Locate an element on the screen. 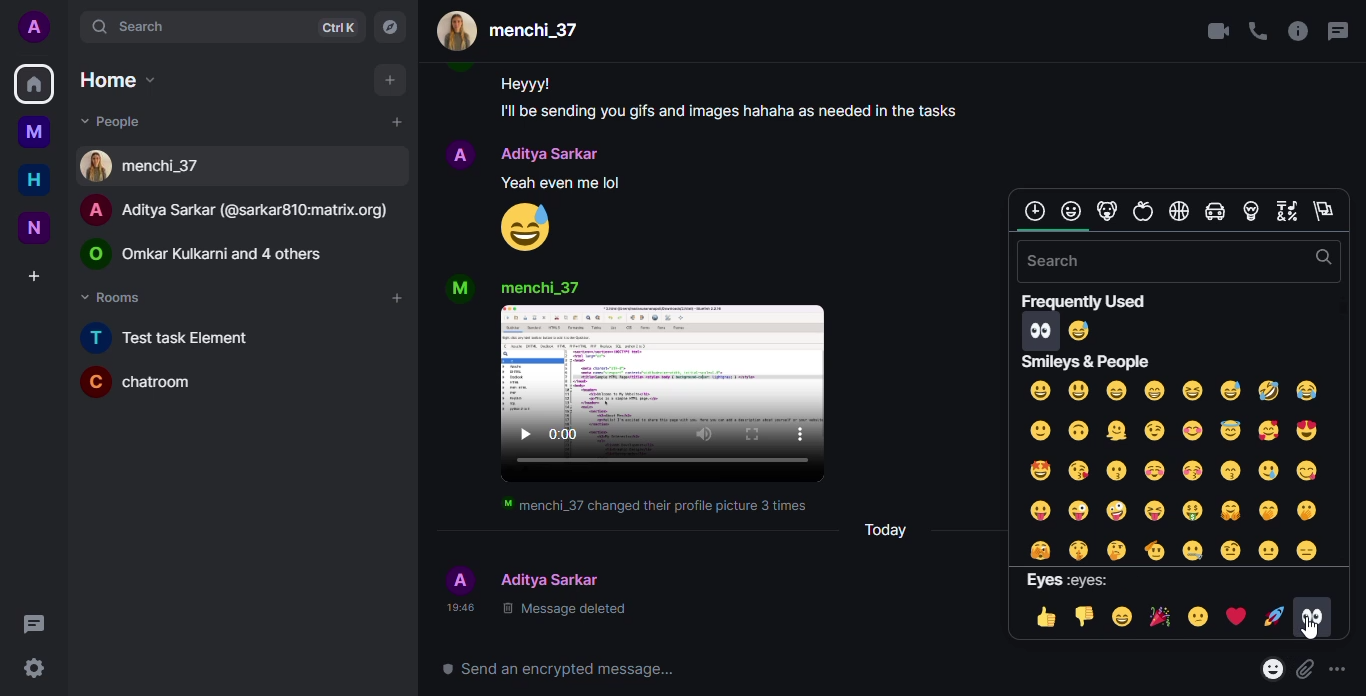 The width and height of the screenshot is (1366, 696). people is located at coordinates (553, 578).